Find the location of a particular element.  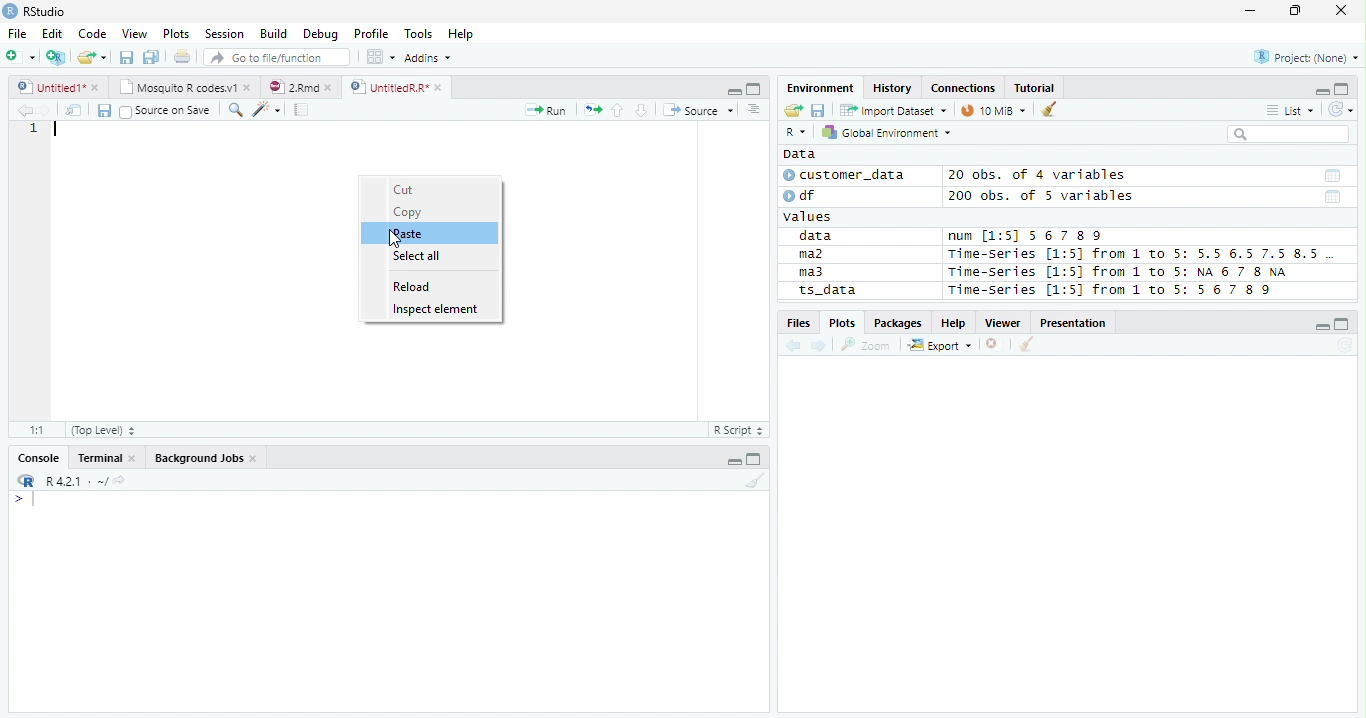

Compile Report is located at coordinates (302, 110).